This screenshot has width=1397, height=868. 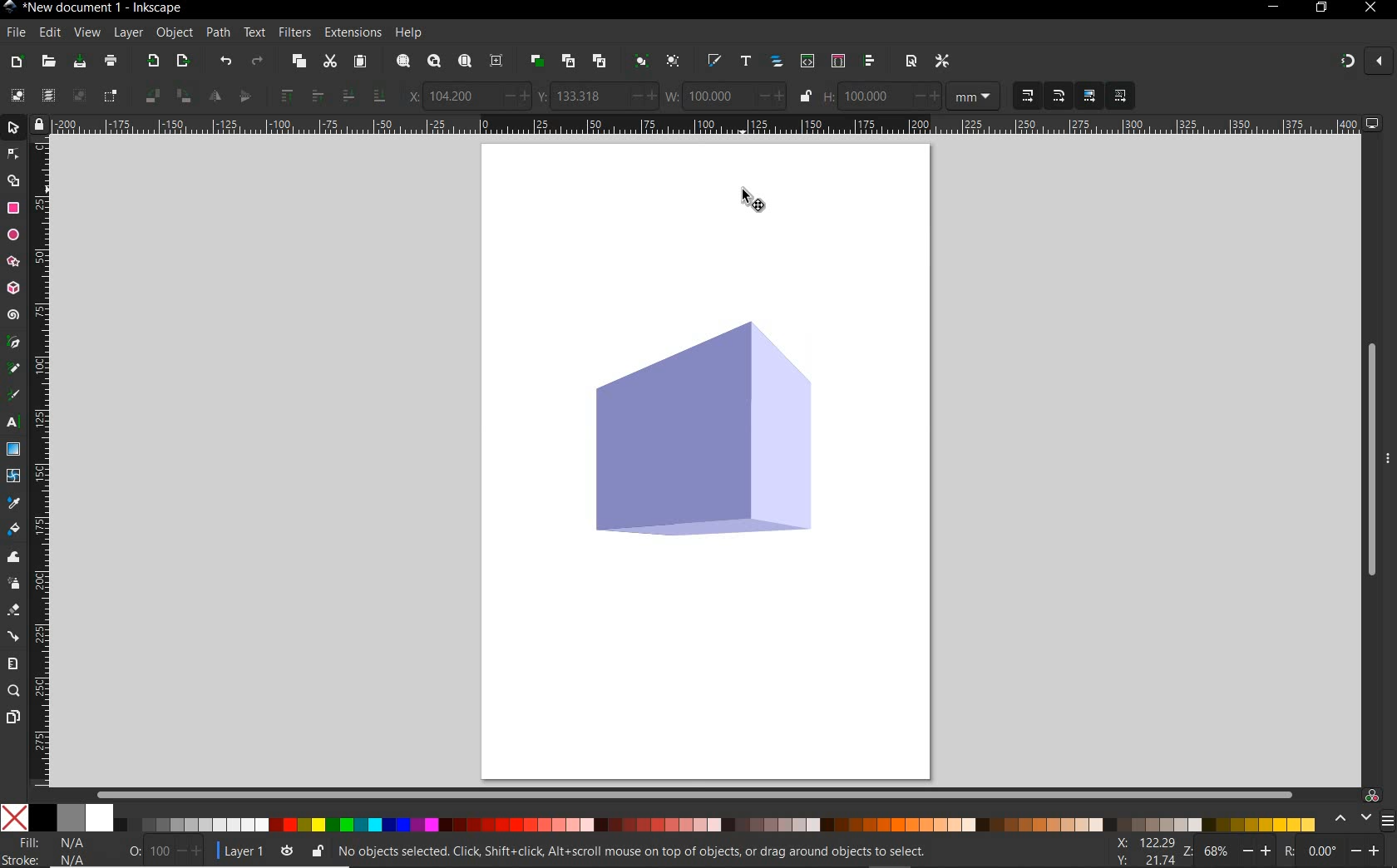 What do you see at coordinates (409, 94) in the screenshot?
I see `x` at bounding box center [409, 94].